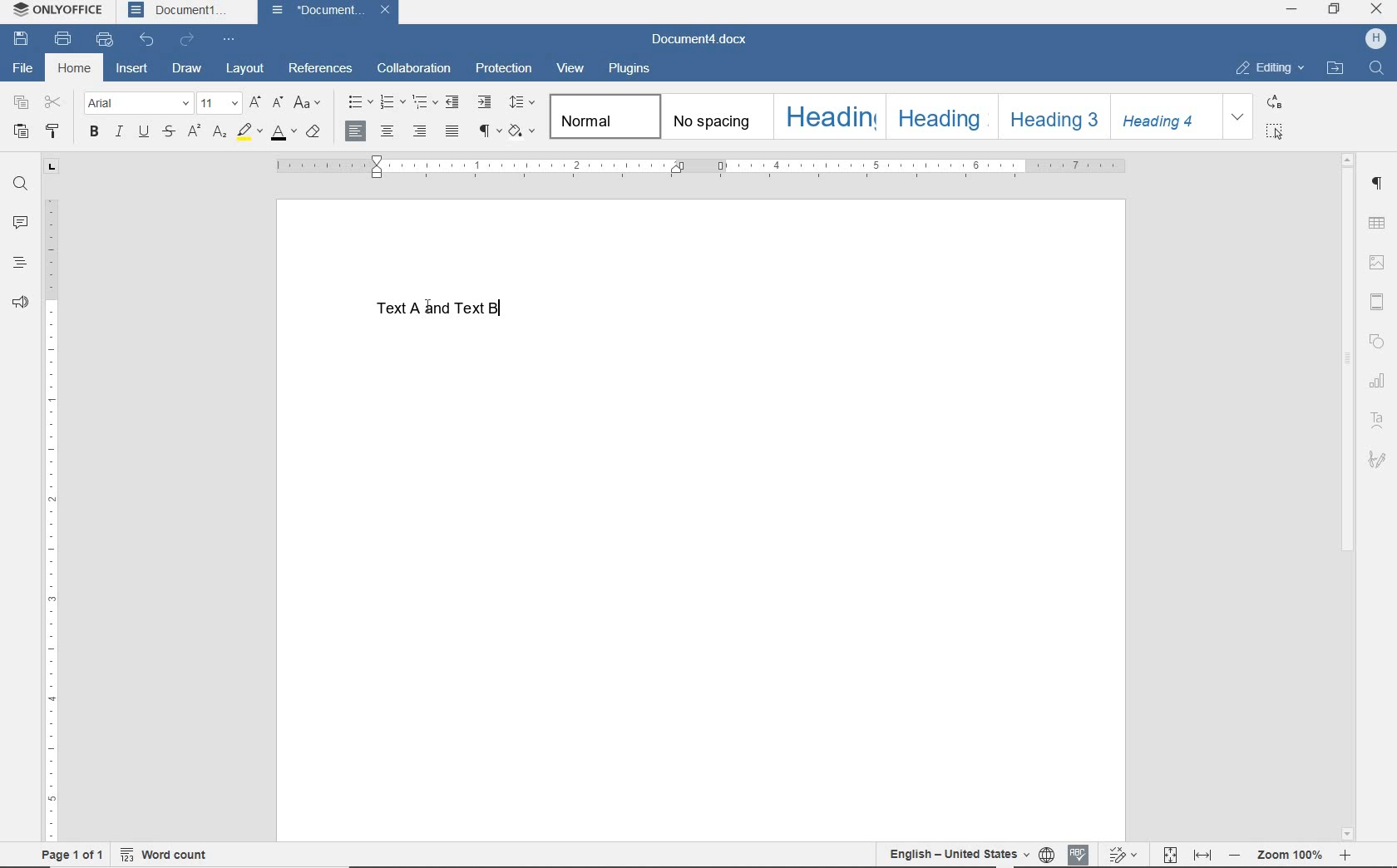 The width and height of the screenshot is (1397, 868). What do you see at coordinates (118, 132) in the screenshot?
I see `ITALIC` at bounding box center [118, 132].